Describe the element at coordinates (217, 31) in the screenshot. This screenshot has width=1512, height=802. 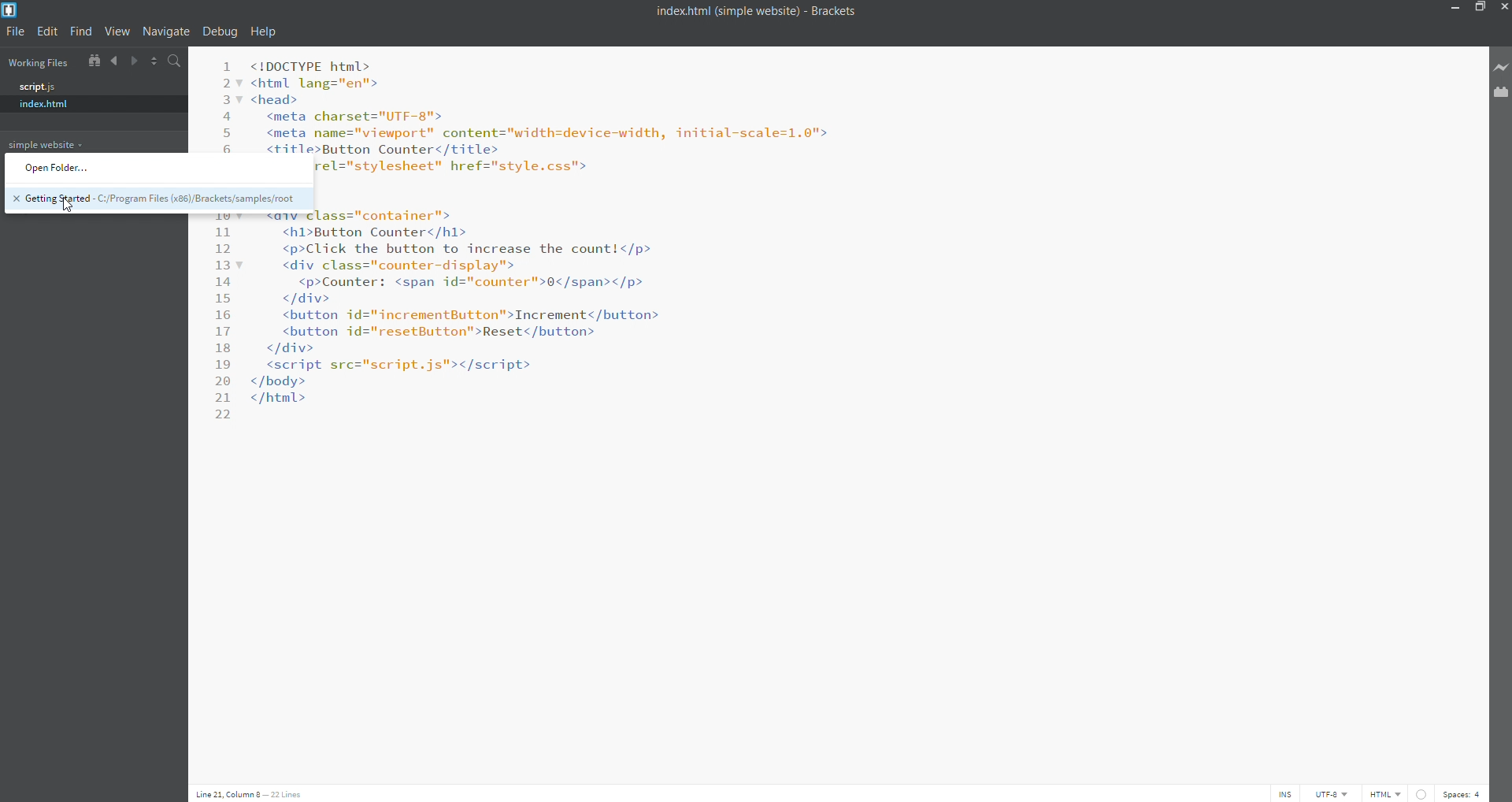
I see `debug` at that location.